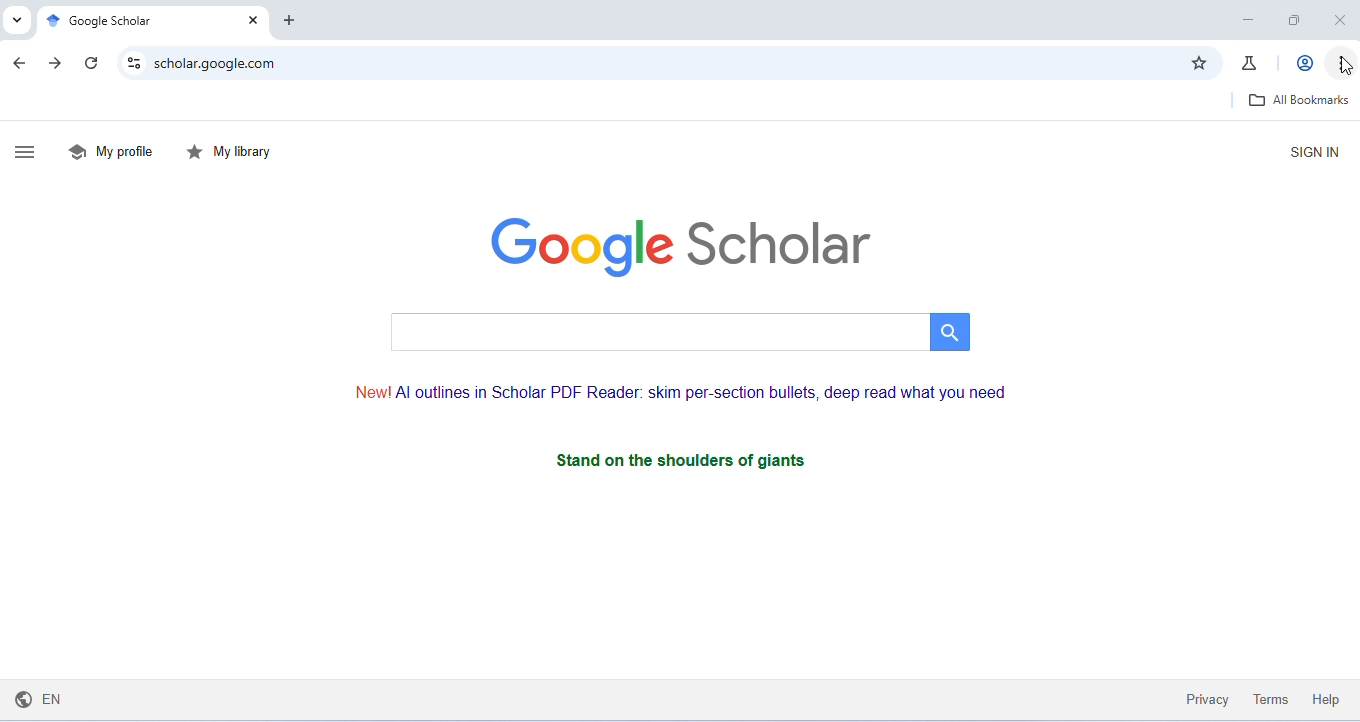  Describe the element at coordinates (677, 389) in the screenshot. I see `text on AI outlines` at that location.